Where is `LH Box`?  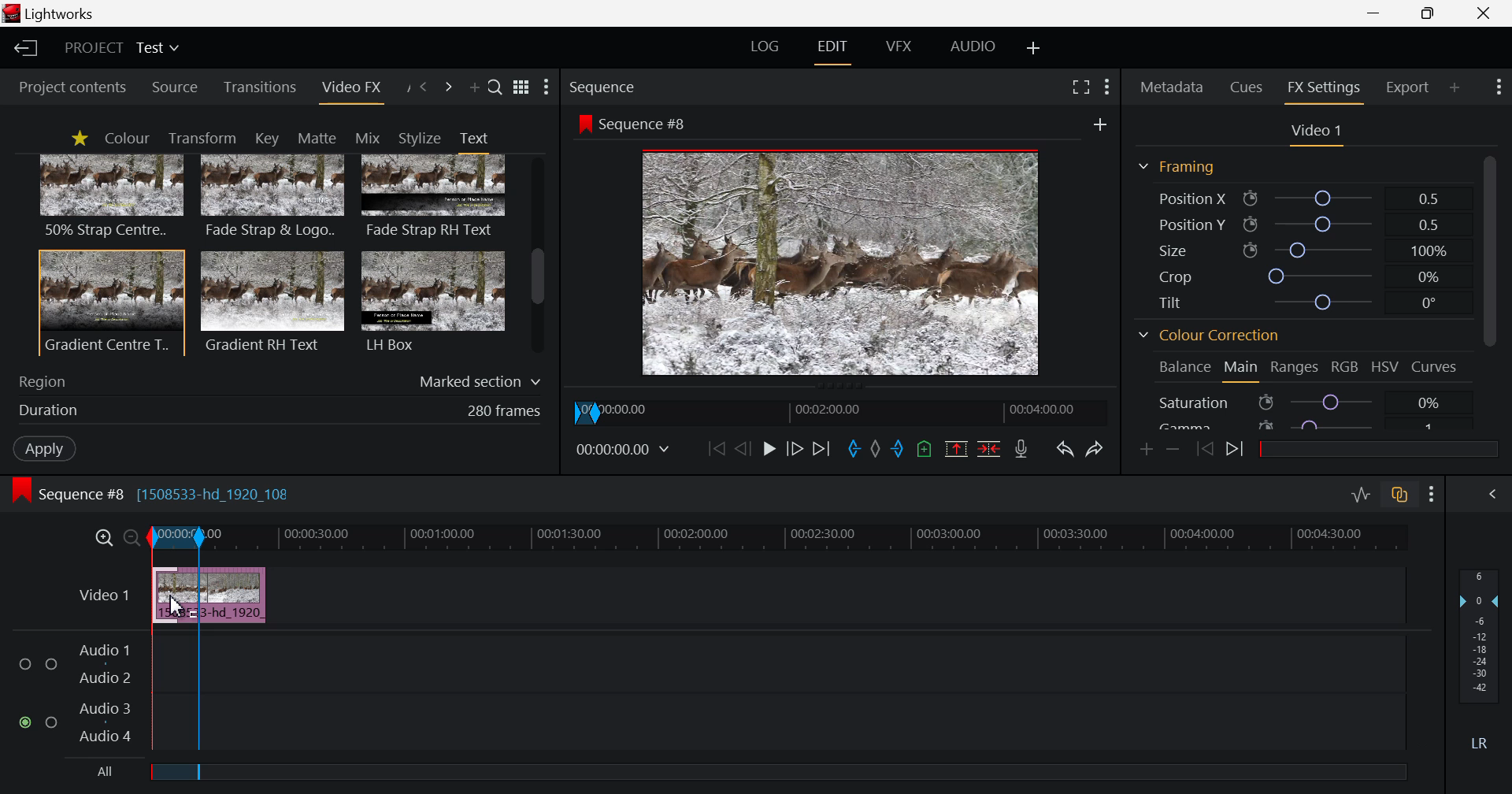 LH Box is located at coordinates (432, 301).